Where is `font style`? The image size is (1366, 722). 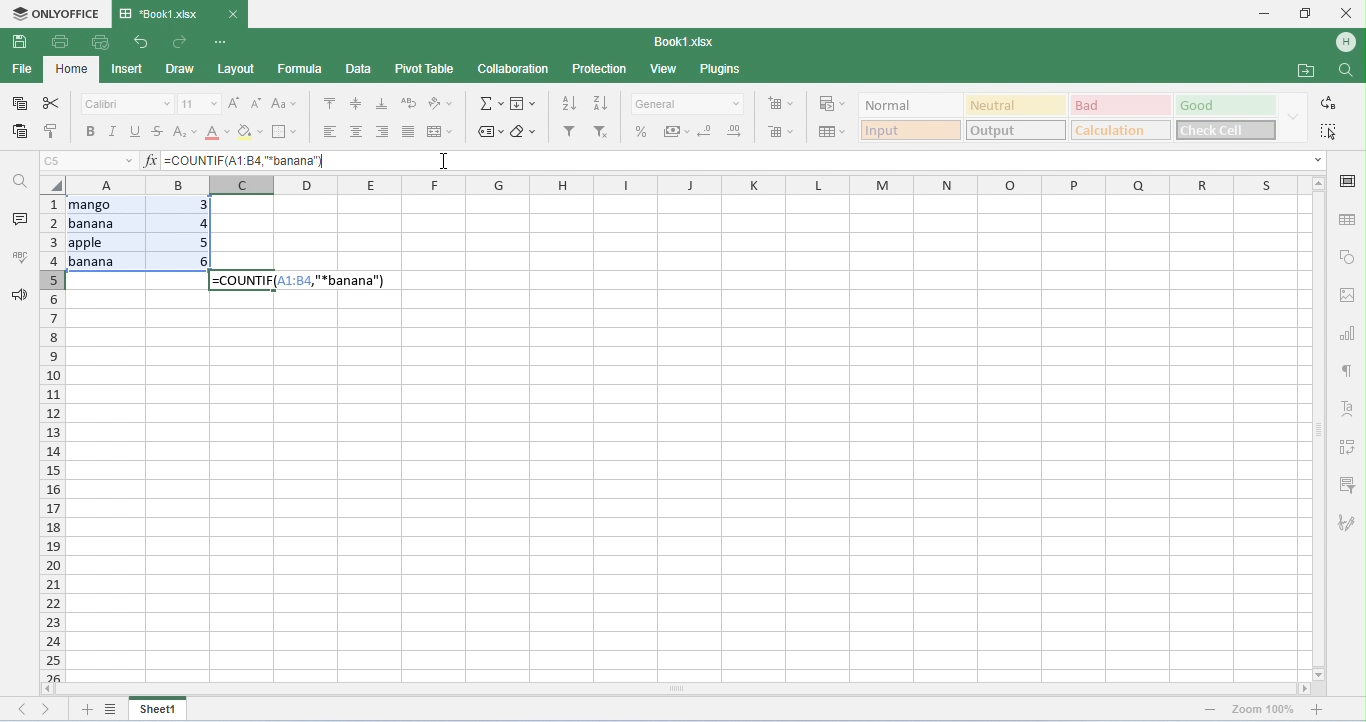 font style is located at coordinates (128, 105).